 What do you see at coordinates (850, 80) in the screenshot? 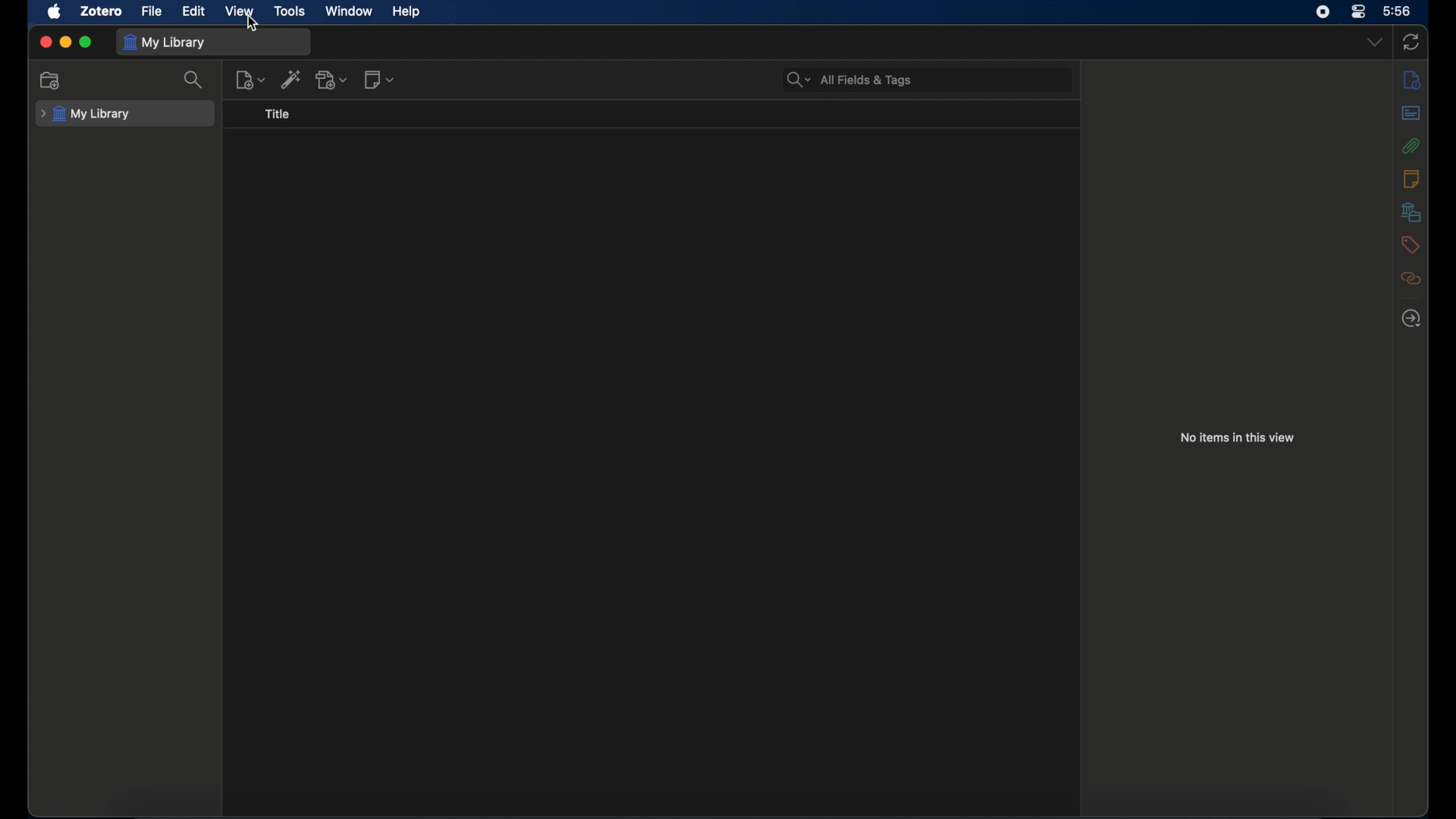
I see `search bar` at bounding box center [850, 80].